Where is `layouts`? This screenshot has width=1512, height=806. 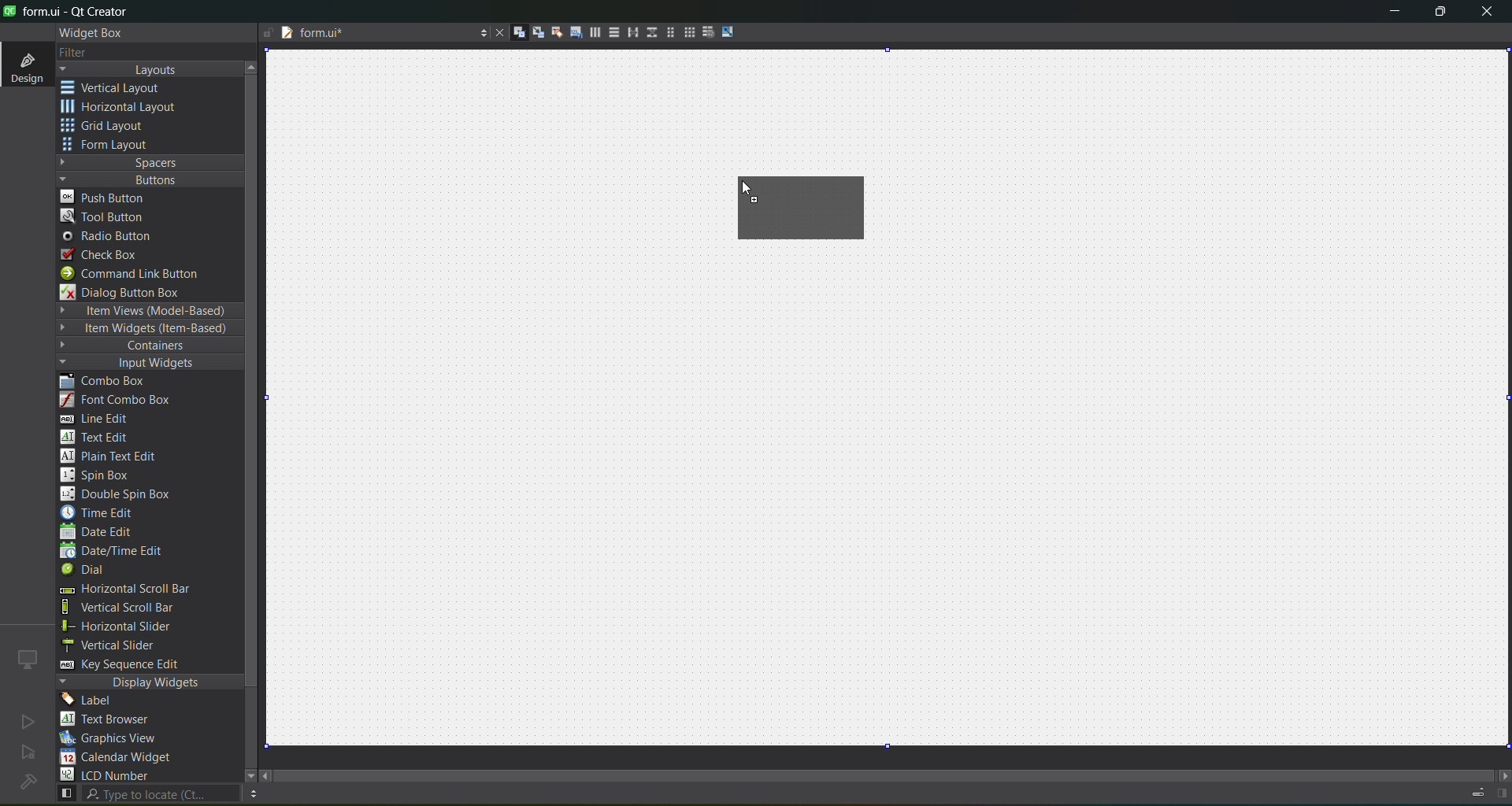 layouts is located at coordinates (150, 69).